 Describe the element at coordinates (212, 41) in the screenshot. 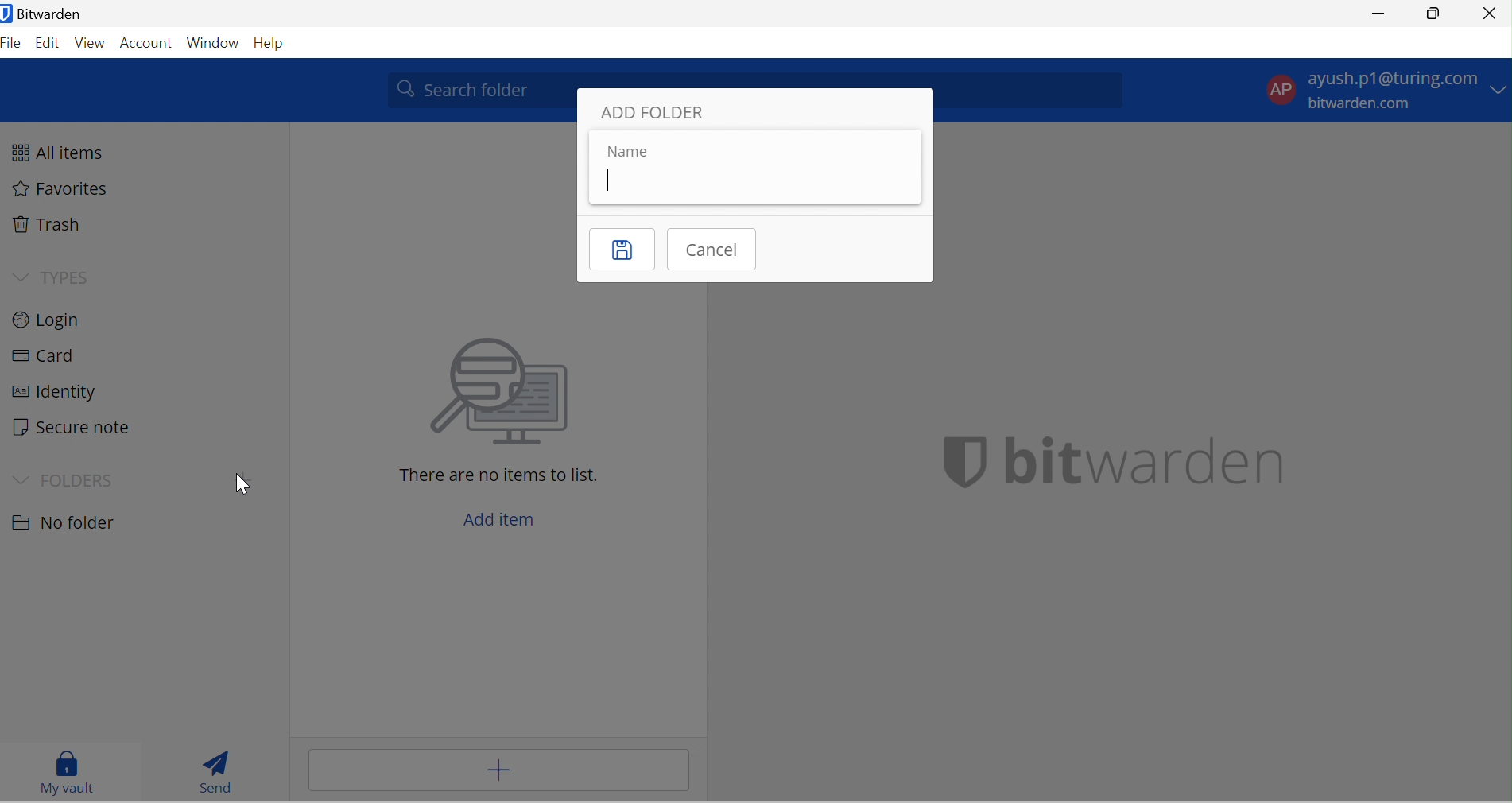

I see `Window` at that location.